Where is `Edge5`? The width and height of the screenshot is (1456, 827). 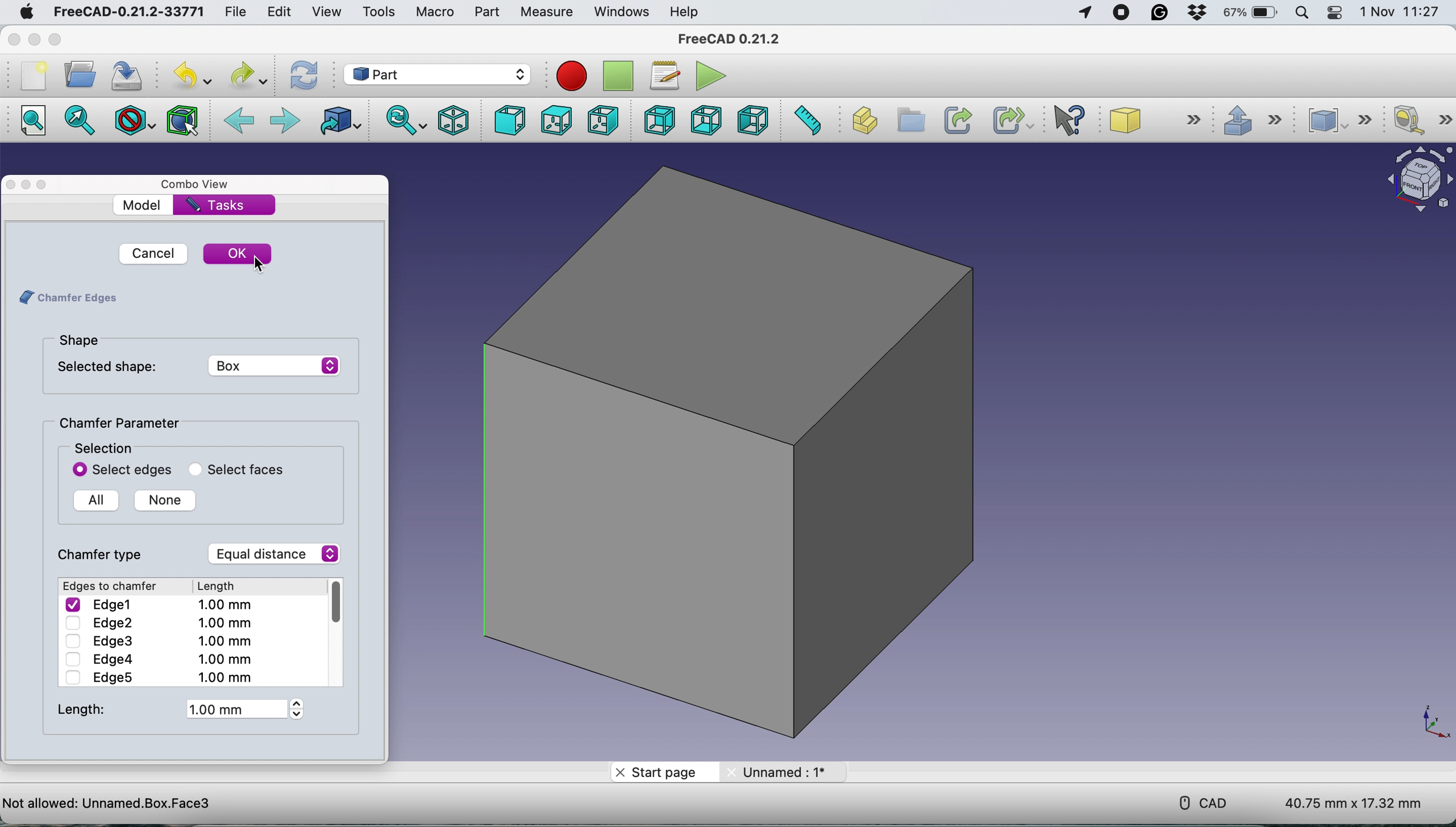 Edge5 is located at coordinates (161, 676).